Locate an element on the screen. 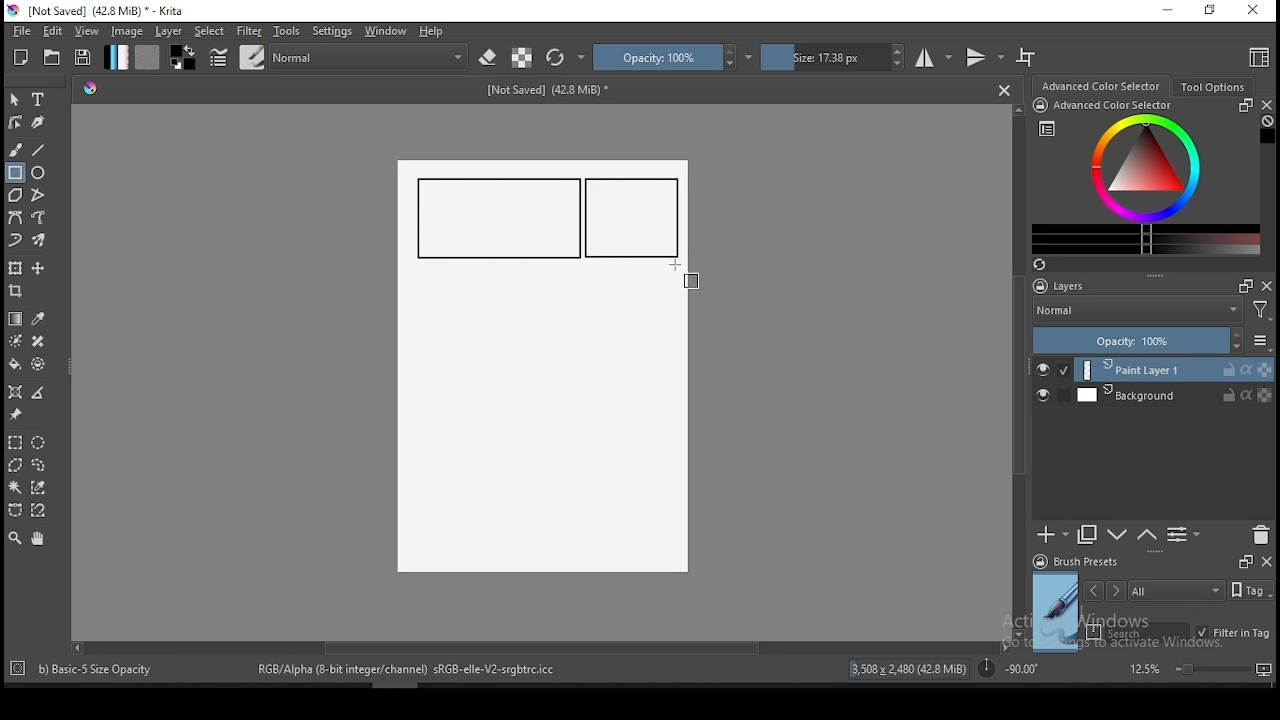 The height and width of the screenshot is (720, 1280). rectangle tool is located at coordinates (15, 173).